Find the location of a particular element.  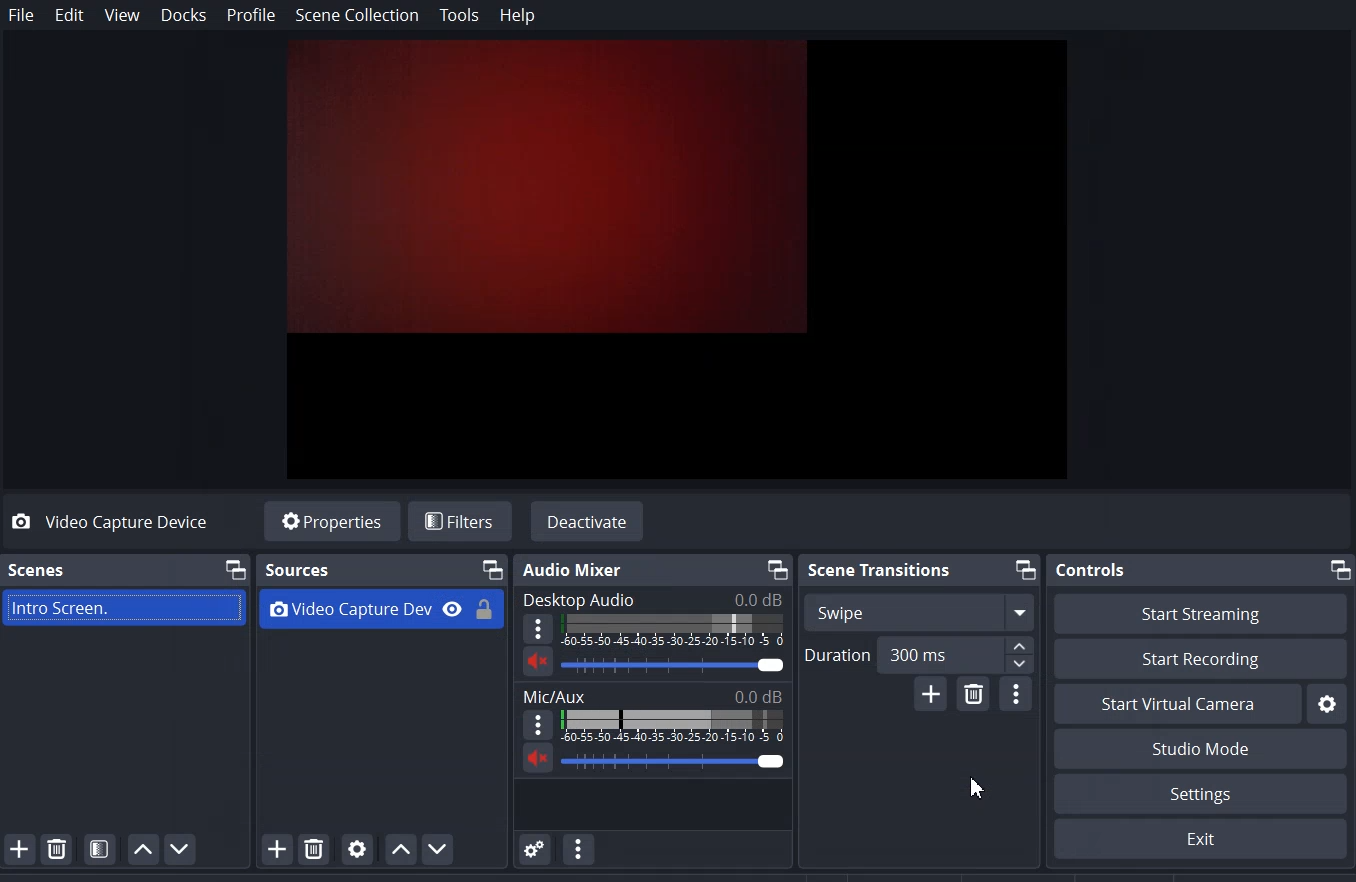

Maximize is located at coordinates (1339, 570).